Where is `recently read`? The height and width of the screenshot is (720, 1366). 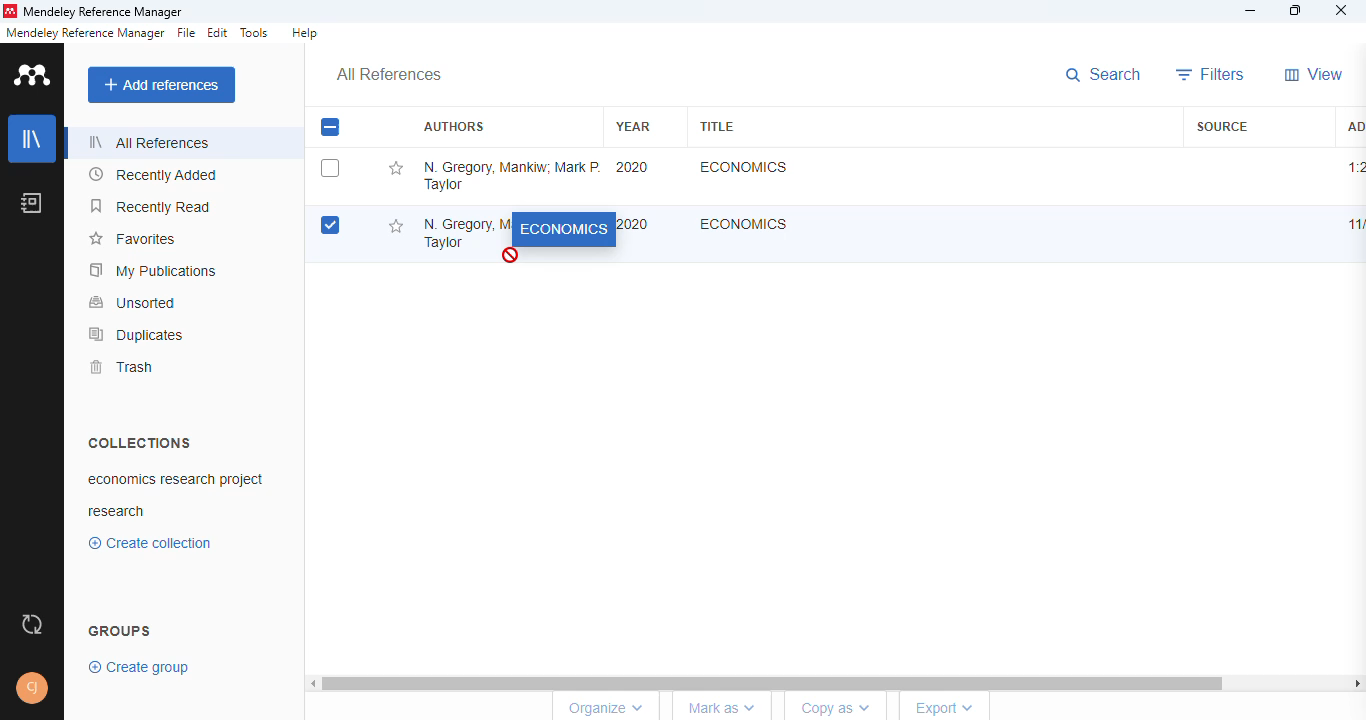
recently read is located at coordinates (152, 206).